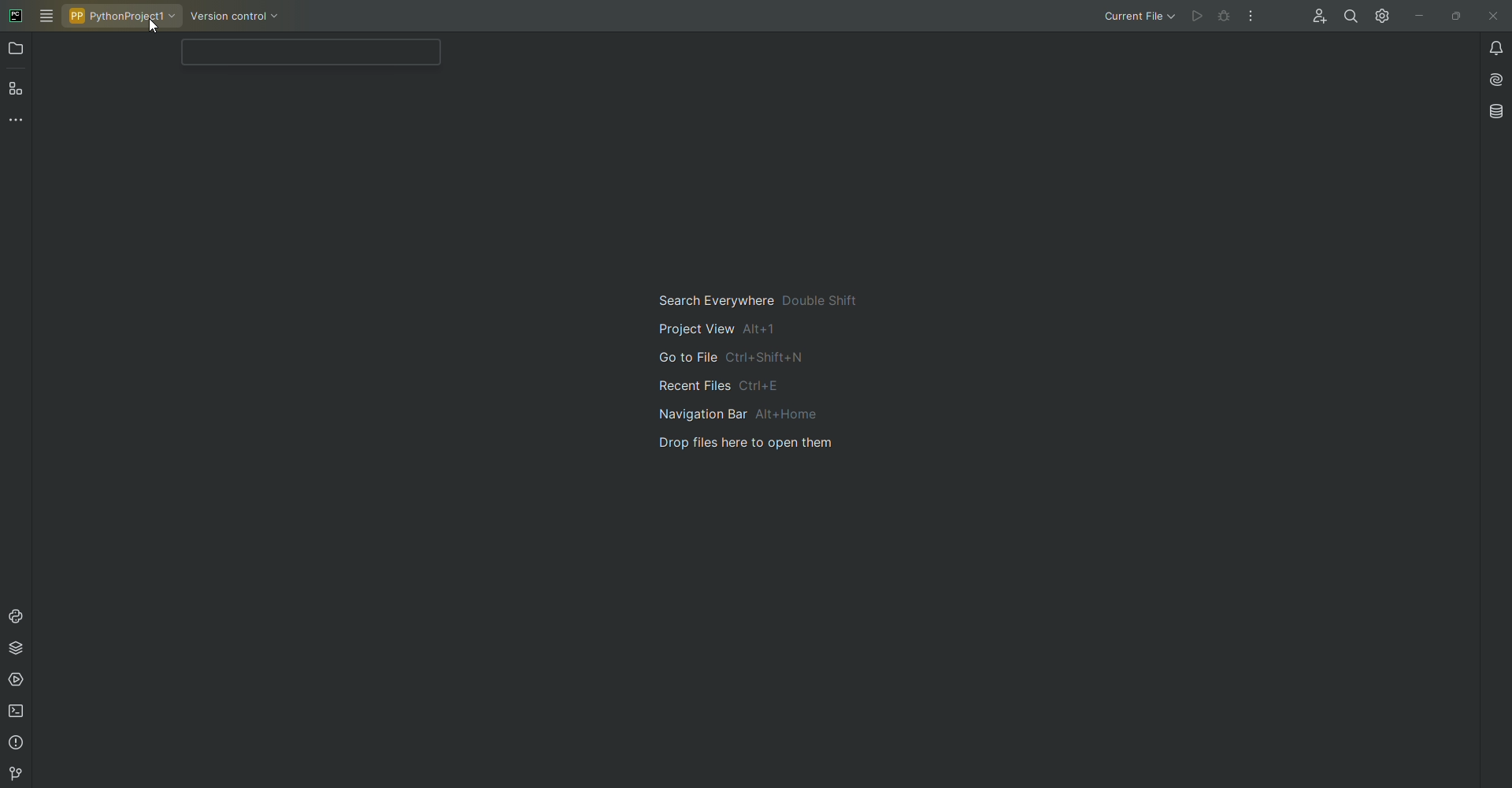 This screenshot has height=788, width=1512. What do you see at coordinates (19, 124) in the screenshot?
I see `More Tools` at bounding box center [19, 124].